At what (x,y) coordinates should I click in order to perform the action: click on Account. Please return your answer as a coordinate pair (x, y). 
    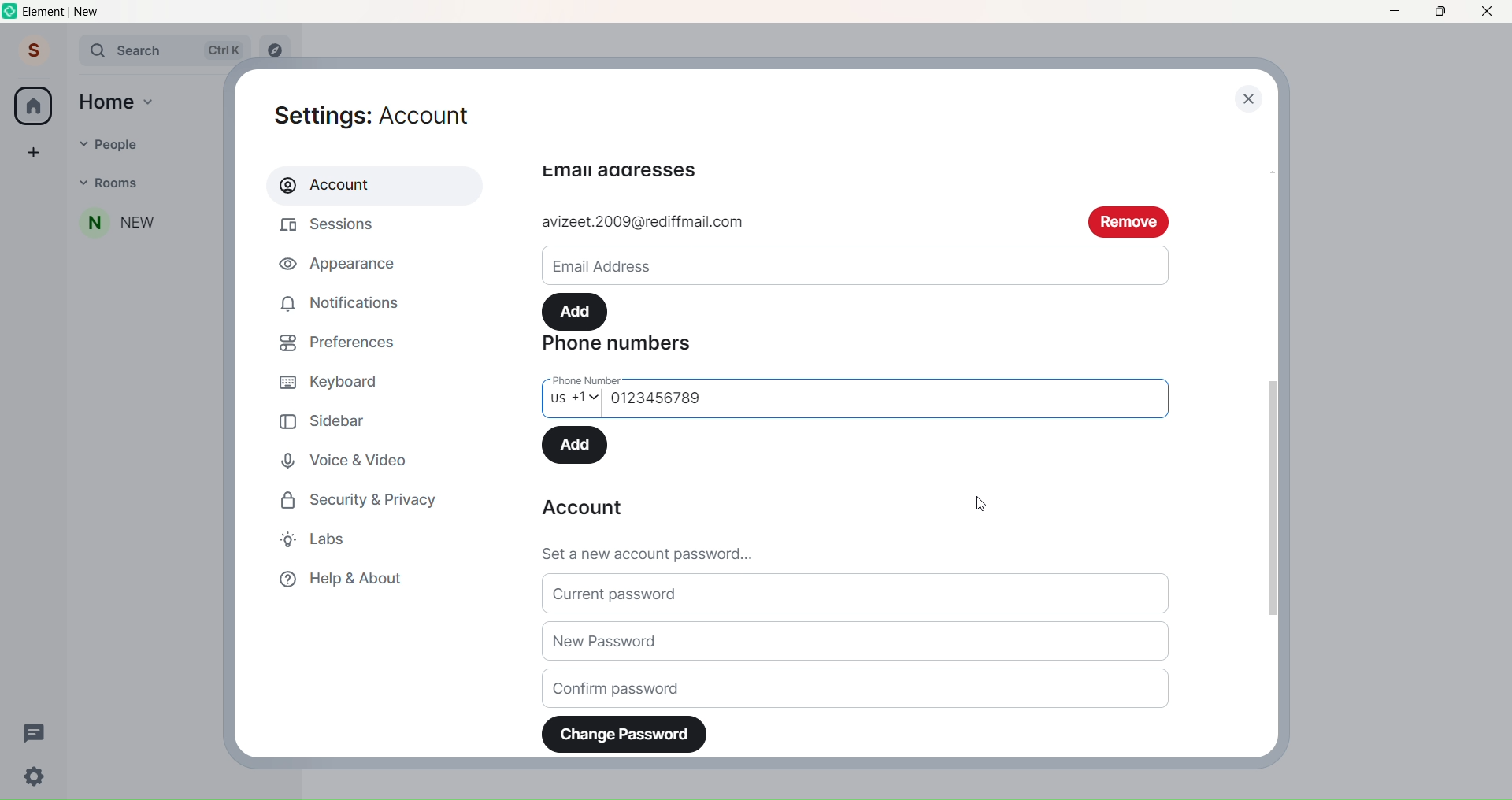
    Looking at the image, I should click on (367, 185).